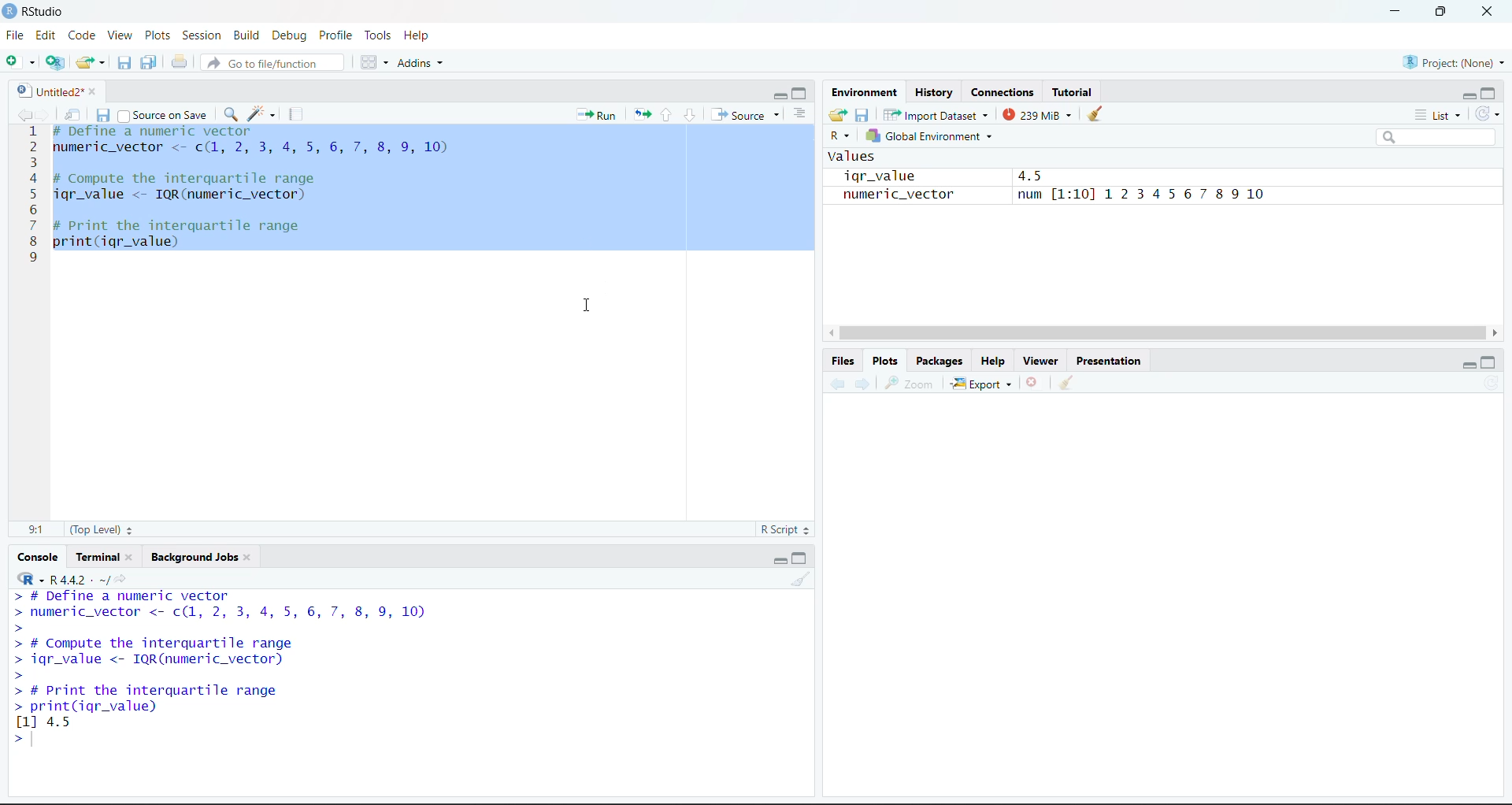 The width and height of the screenshot is (1512, 805). I want to click on Packages, so click(941, 361).